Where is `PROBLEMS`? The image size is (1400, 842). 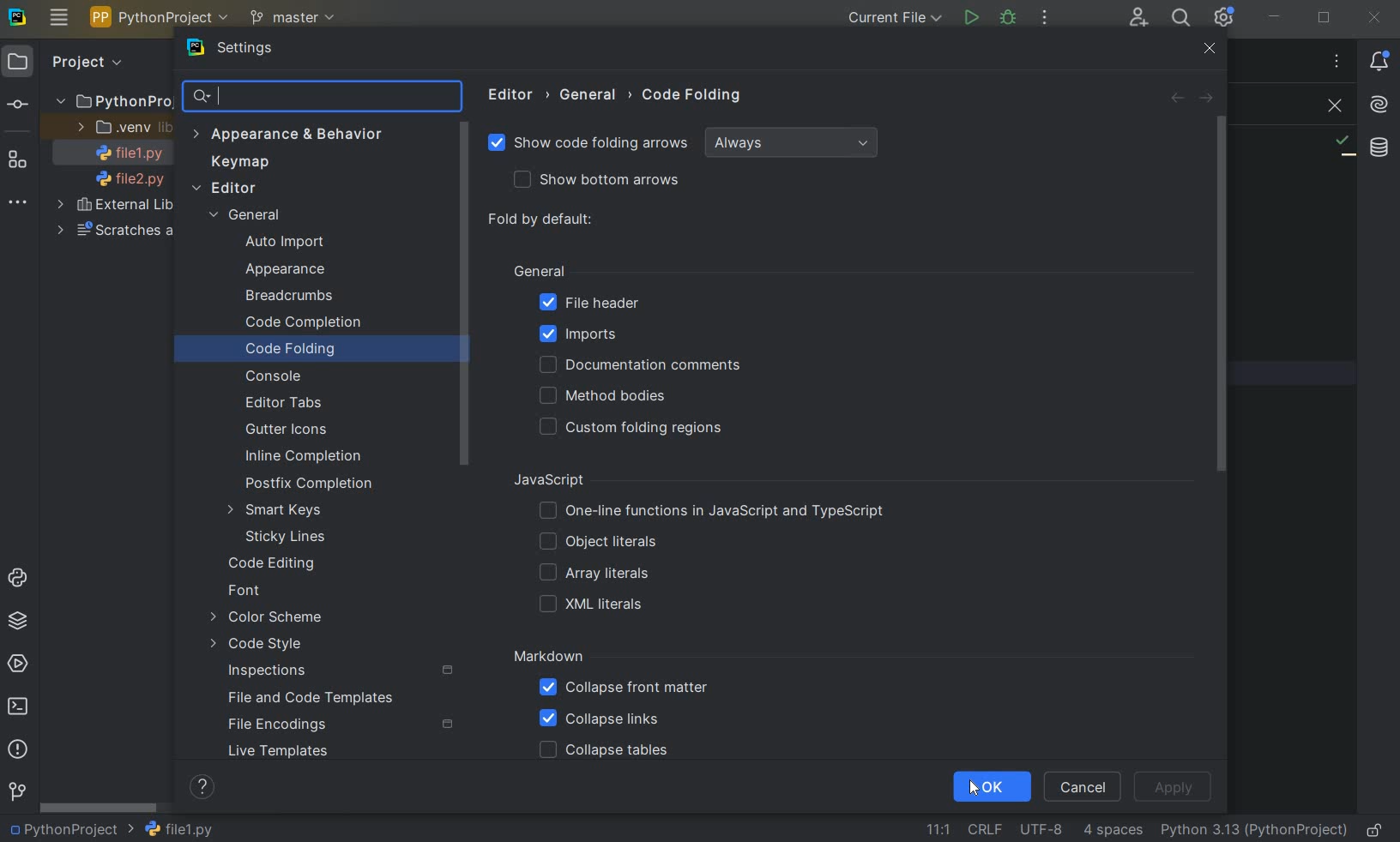 PROBLEMS is located at coordinates (18, 750).